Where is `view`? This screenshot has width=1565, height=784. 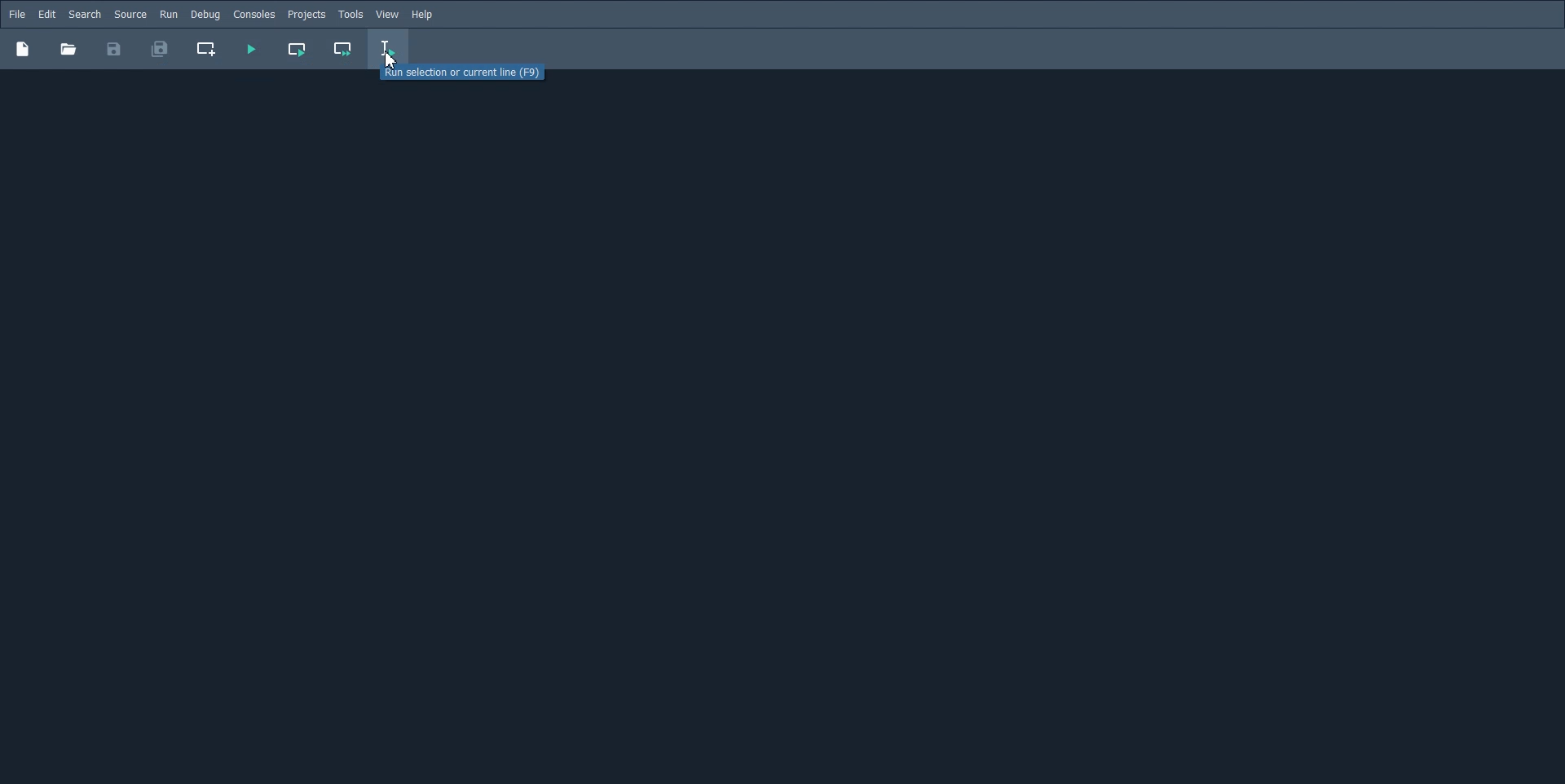 view is located at coordinates (388, 15).